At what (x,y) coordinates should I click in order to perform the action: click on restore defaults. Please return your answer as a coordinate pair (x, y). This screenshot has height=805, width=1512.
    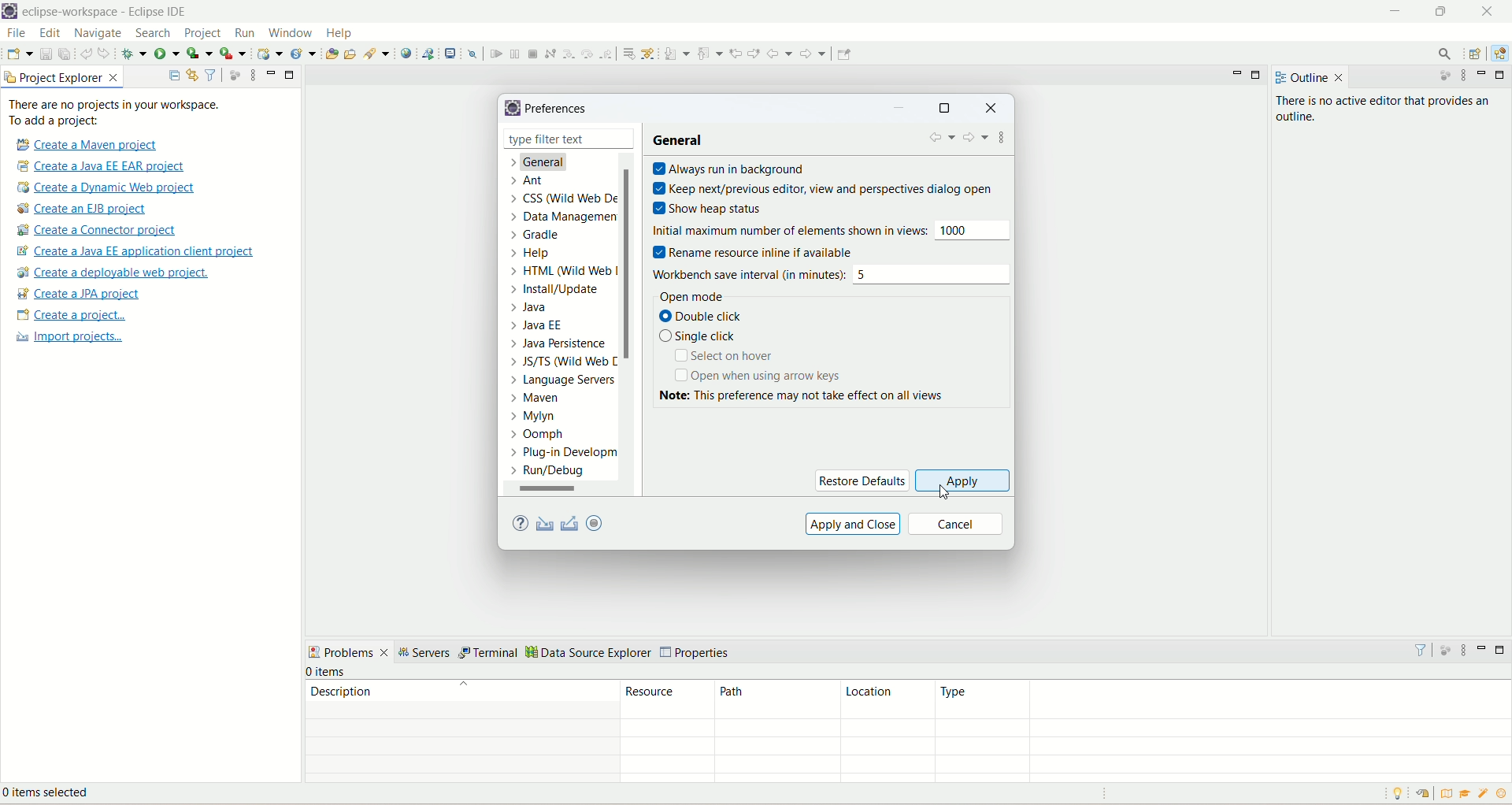
    Looking at the image, I should click on (862, 480).